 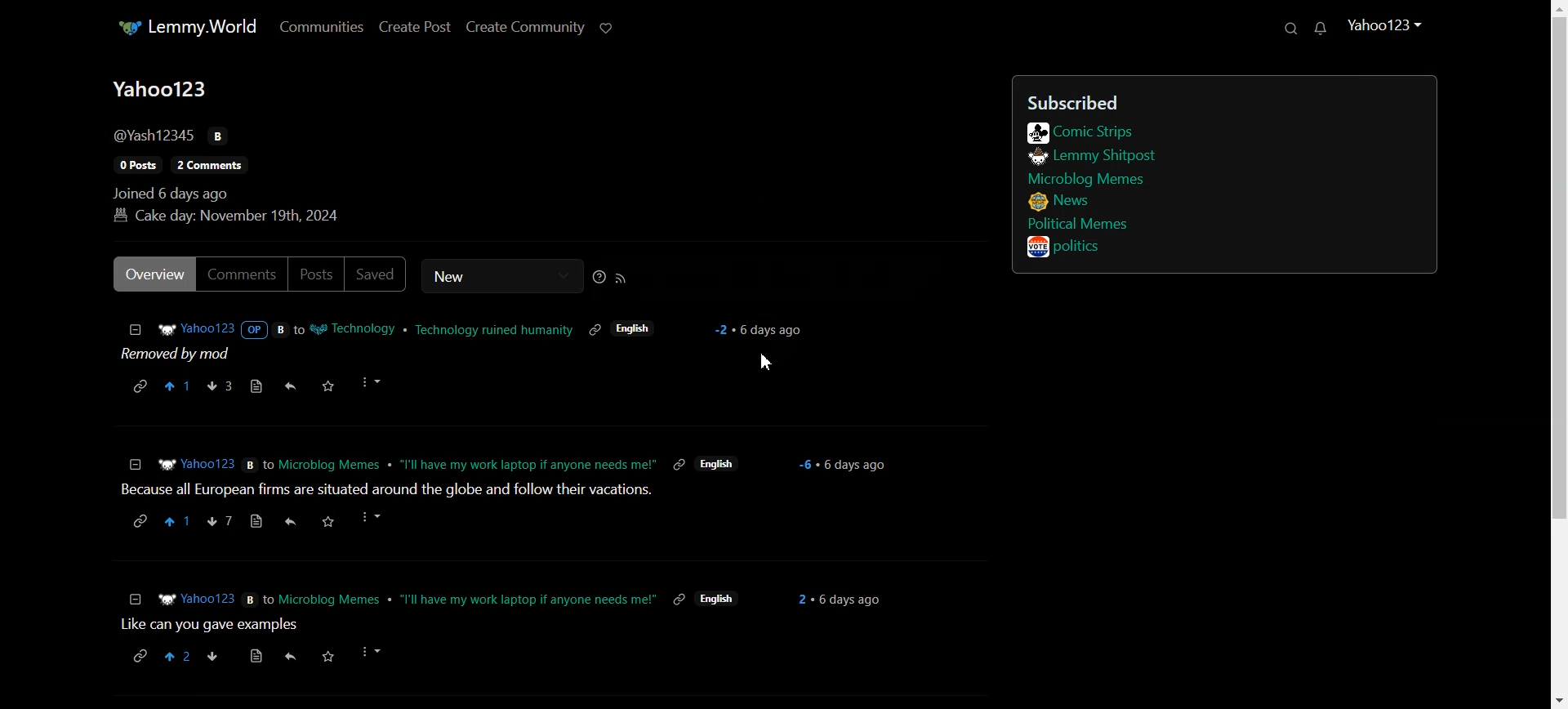 What do you see at coordinates (177, 386) in the screenshot?
I see `Upvote` at bounding box center [177, 386].